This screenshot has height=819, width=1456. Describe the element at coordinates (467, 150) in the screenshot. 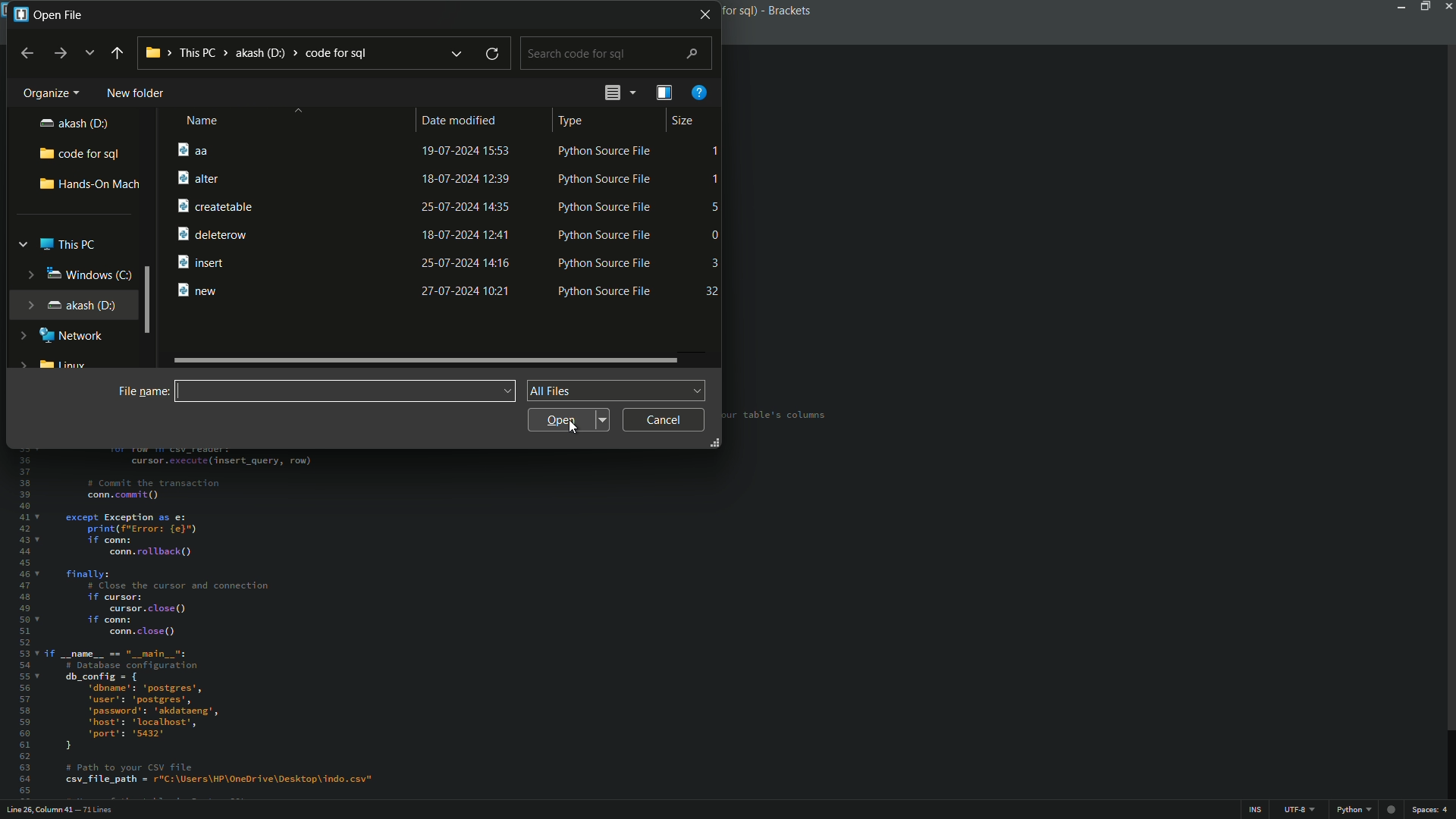

I see `19-07-2024 15:53` at that location.